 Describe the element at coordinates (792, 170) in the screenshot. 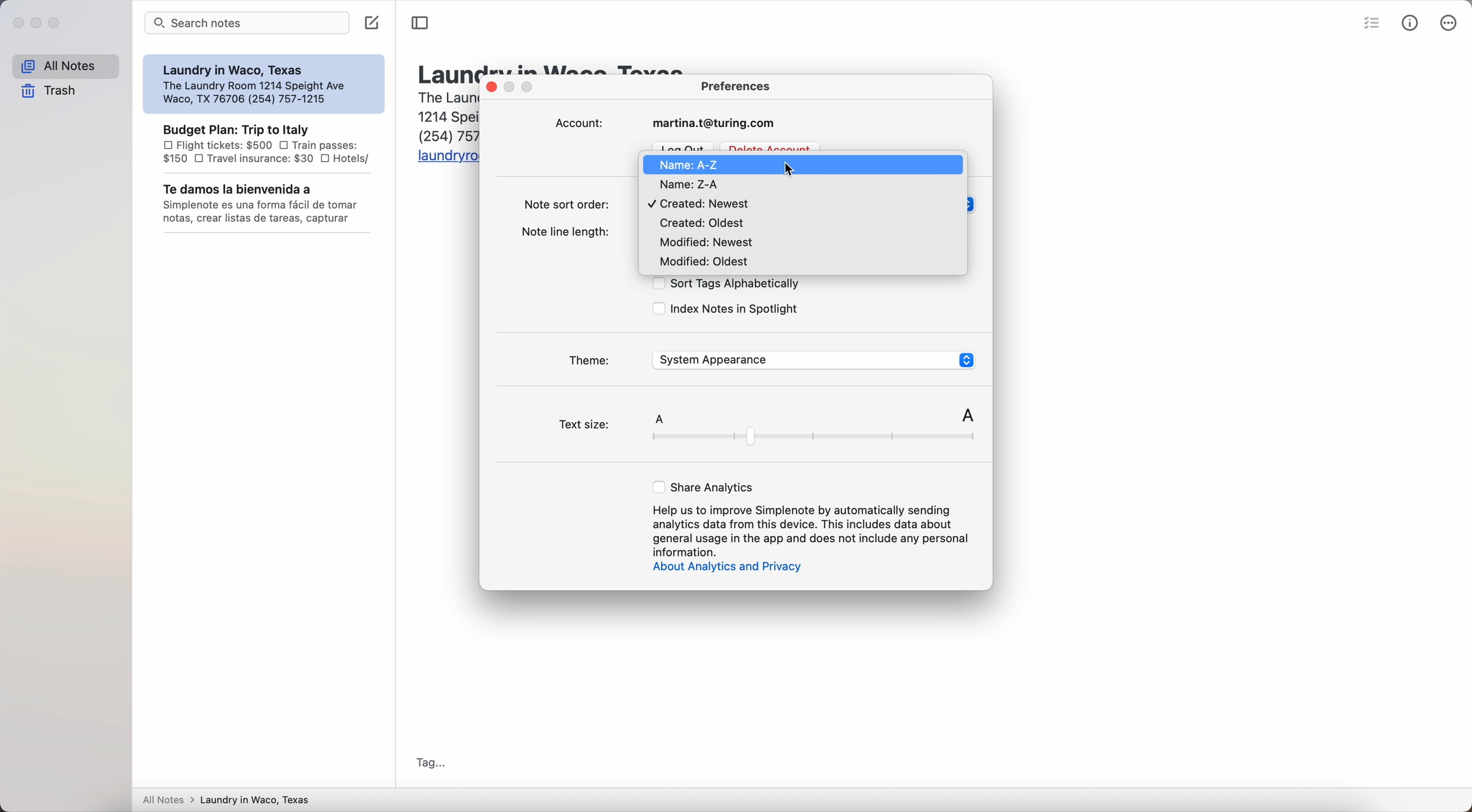

I see `cursor` at that location.